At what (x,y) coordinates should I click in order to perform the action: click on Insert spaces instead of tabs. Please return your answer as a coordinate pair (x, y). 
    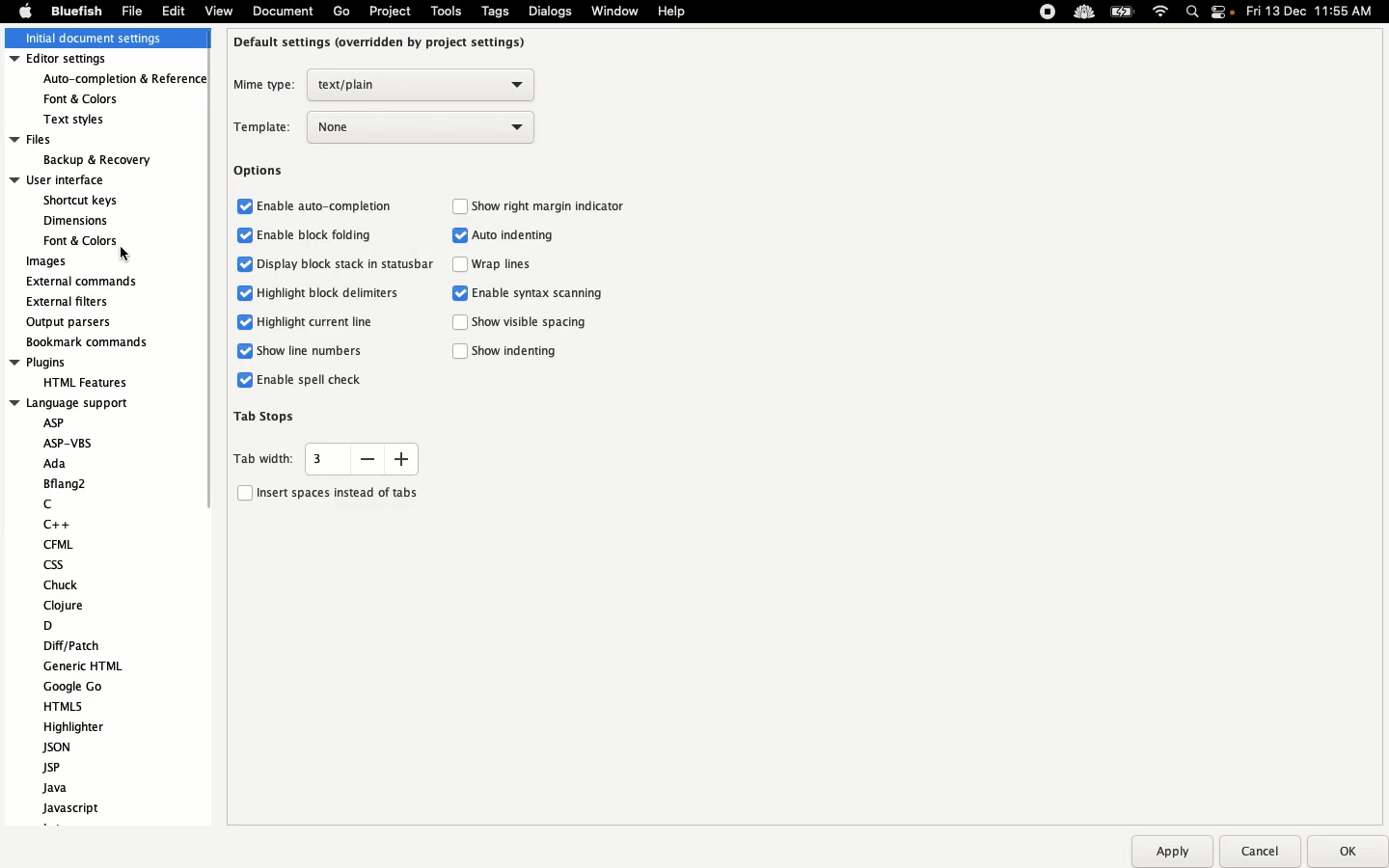
    Looking at the image, I should click on (327, 491).